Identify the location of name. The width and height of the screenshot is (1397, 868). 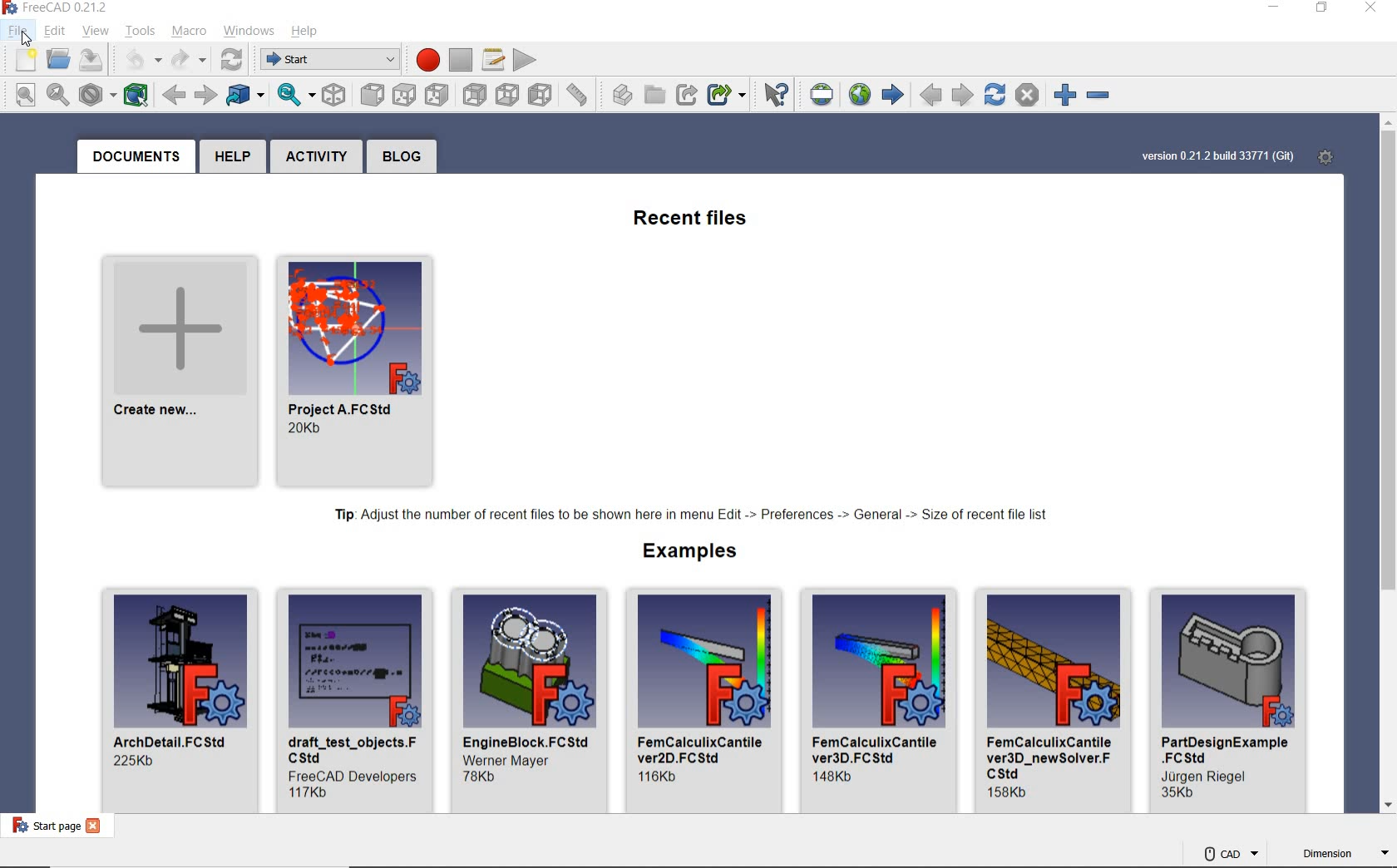
(1227, 750).